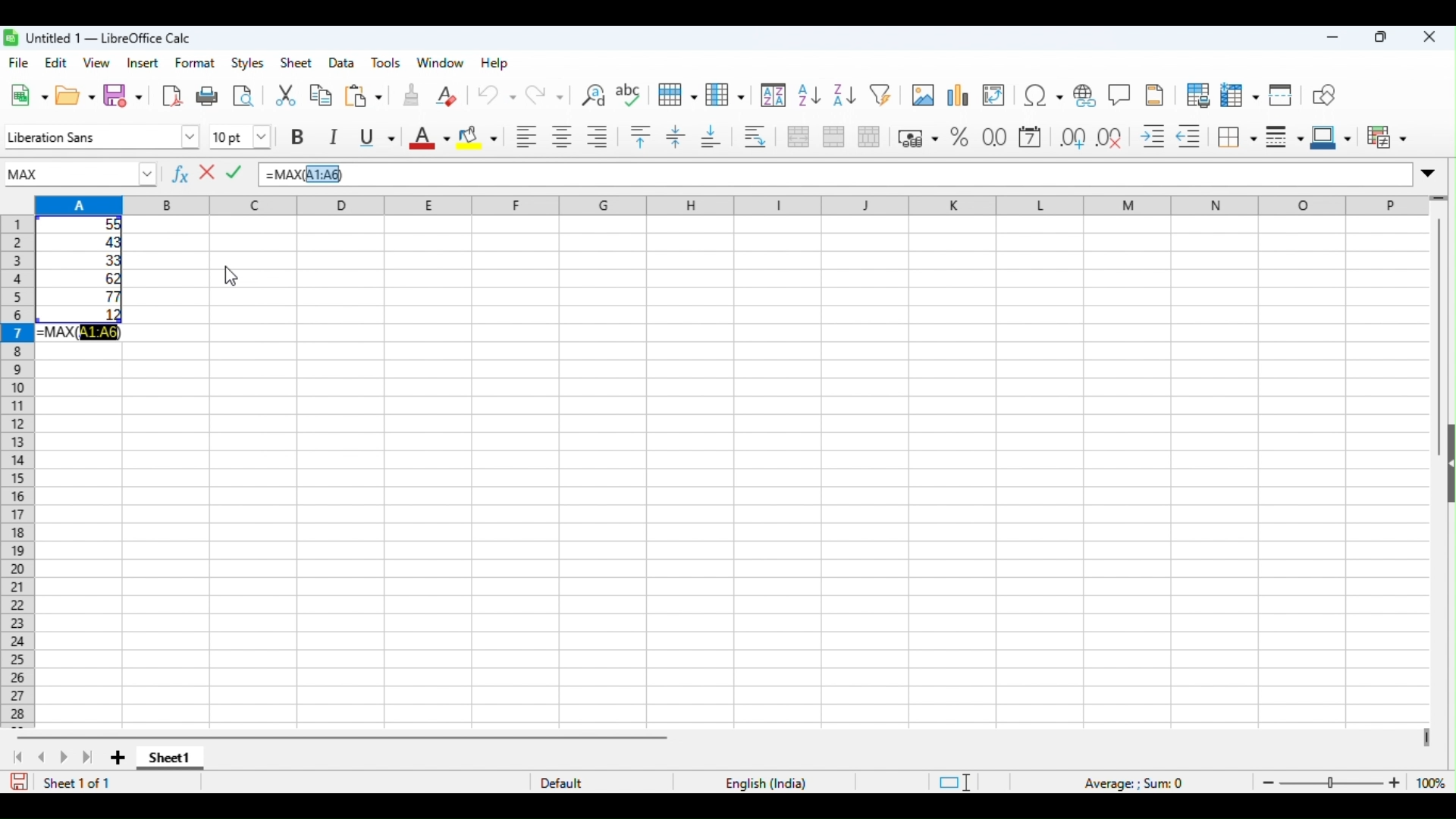  What do you see at coordinates (494, 96) in the screenshot?
I see `undo` at bounding box center [494, 96].